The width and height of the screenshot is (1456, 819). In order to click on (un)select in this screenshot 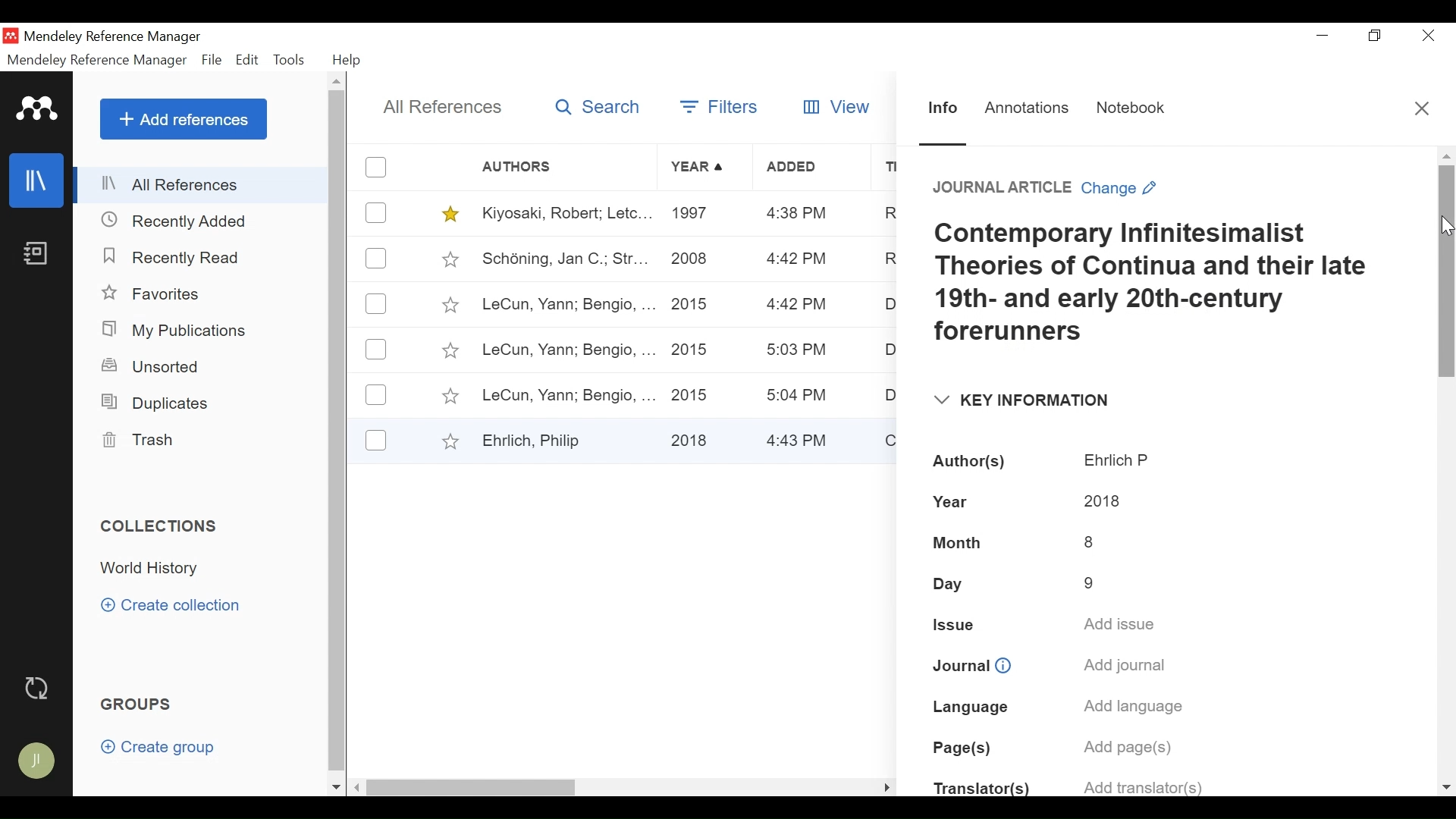, I will do `click(376, 440)`.